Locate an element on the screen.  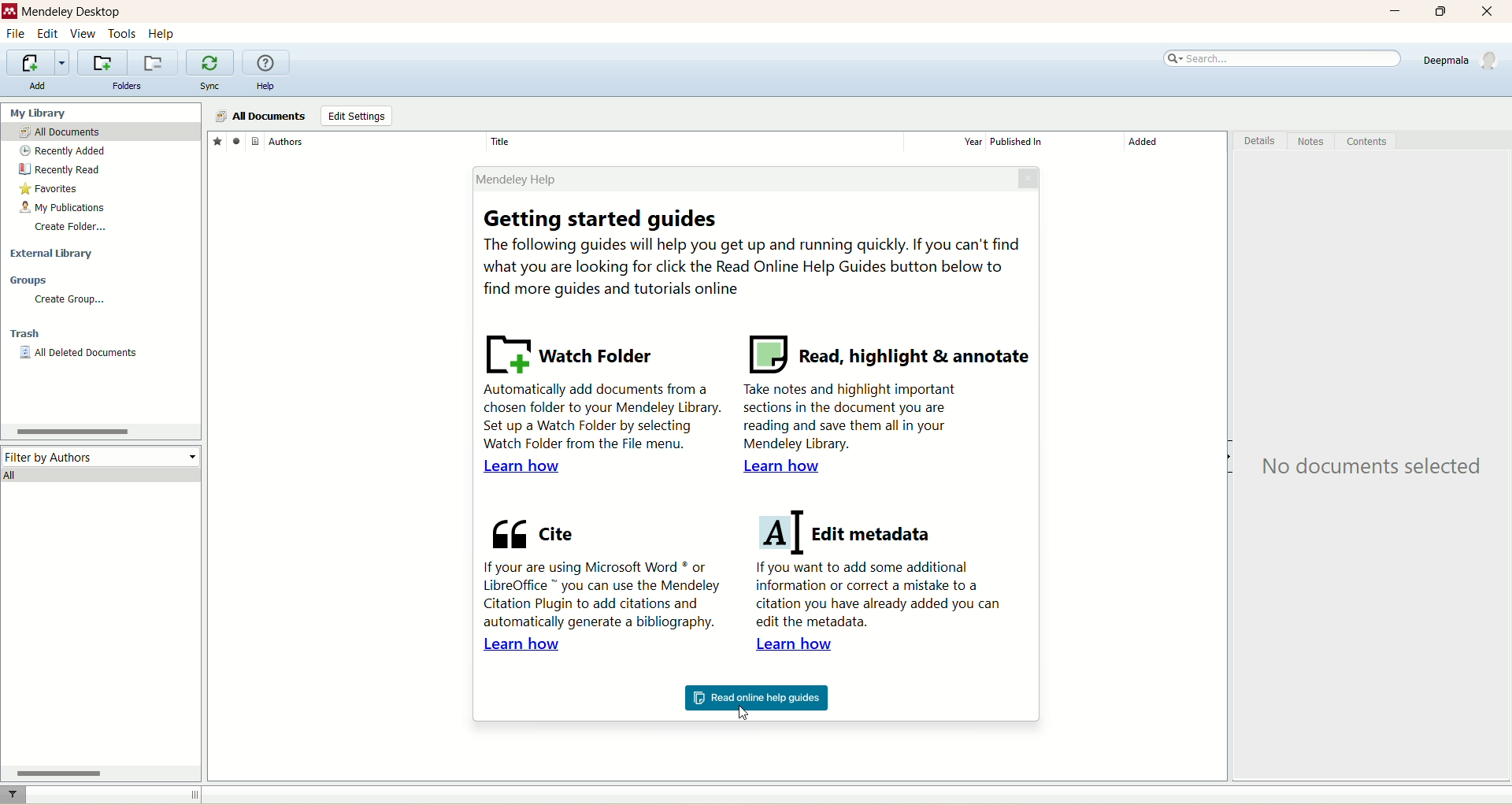
trash is located at coordinates (25, 333).